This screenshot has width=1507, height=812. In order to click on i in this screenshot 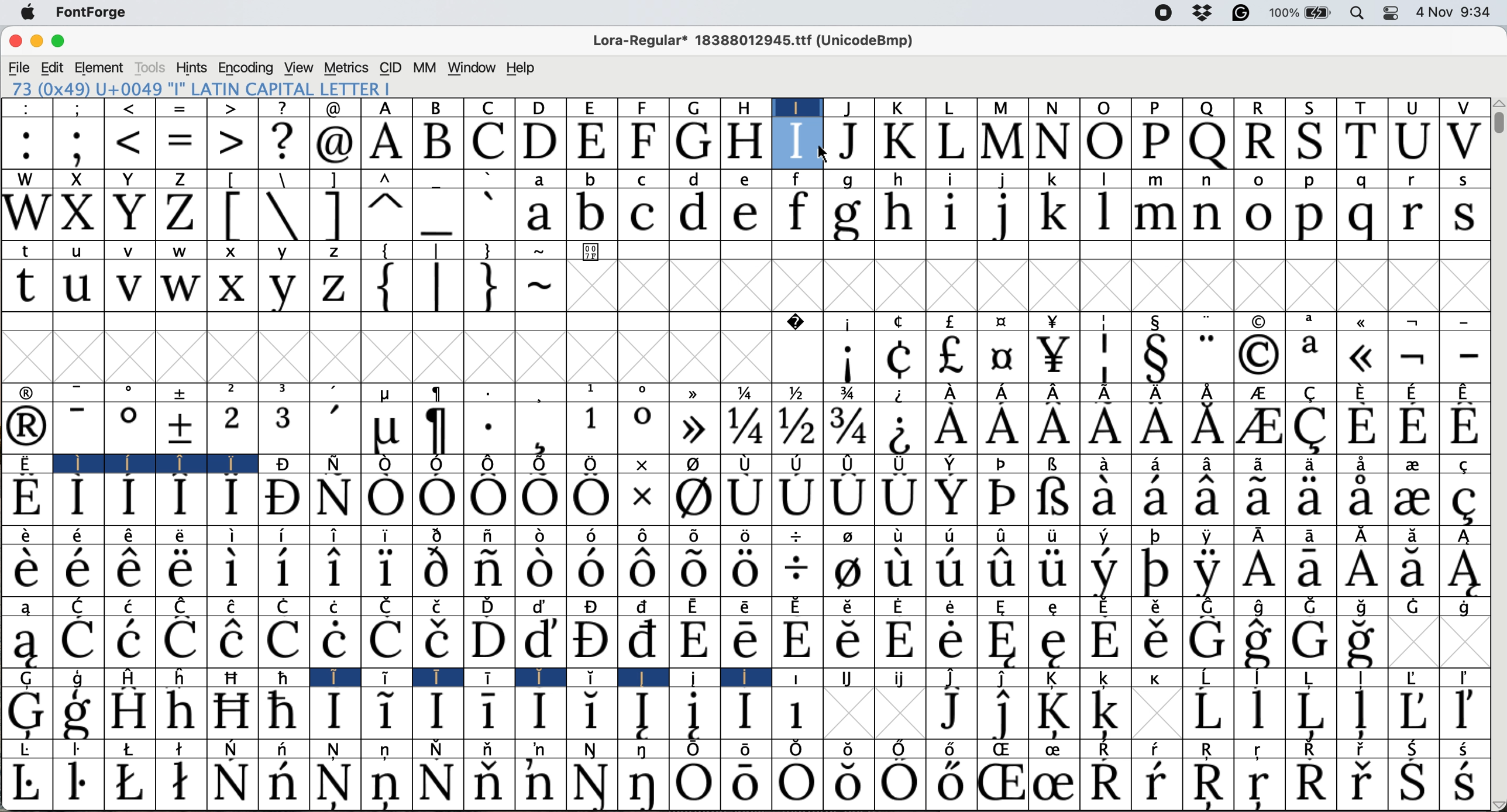, I will do `click(952, 215)`.